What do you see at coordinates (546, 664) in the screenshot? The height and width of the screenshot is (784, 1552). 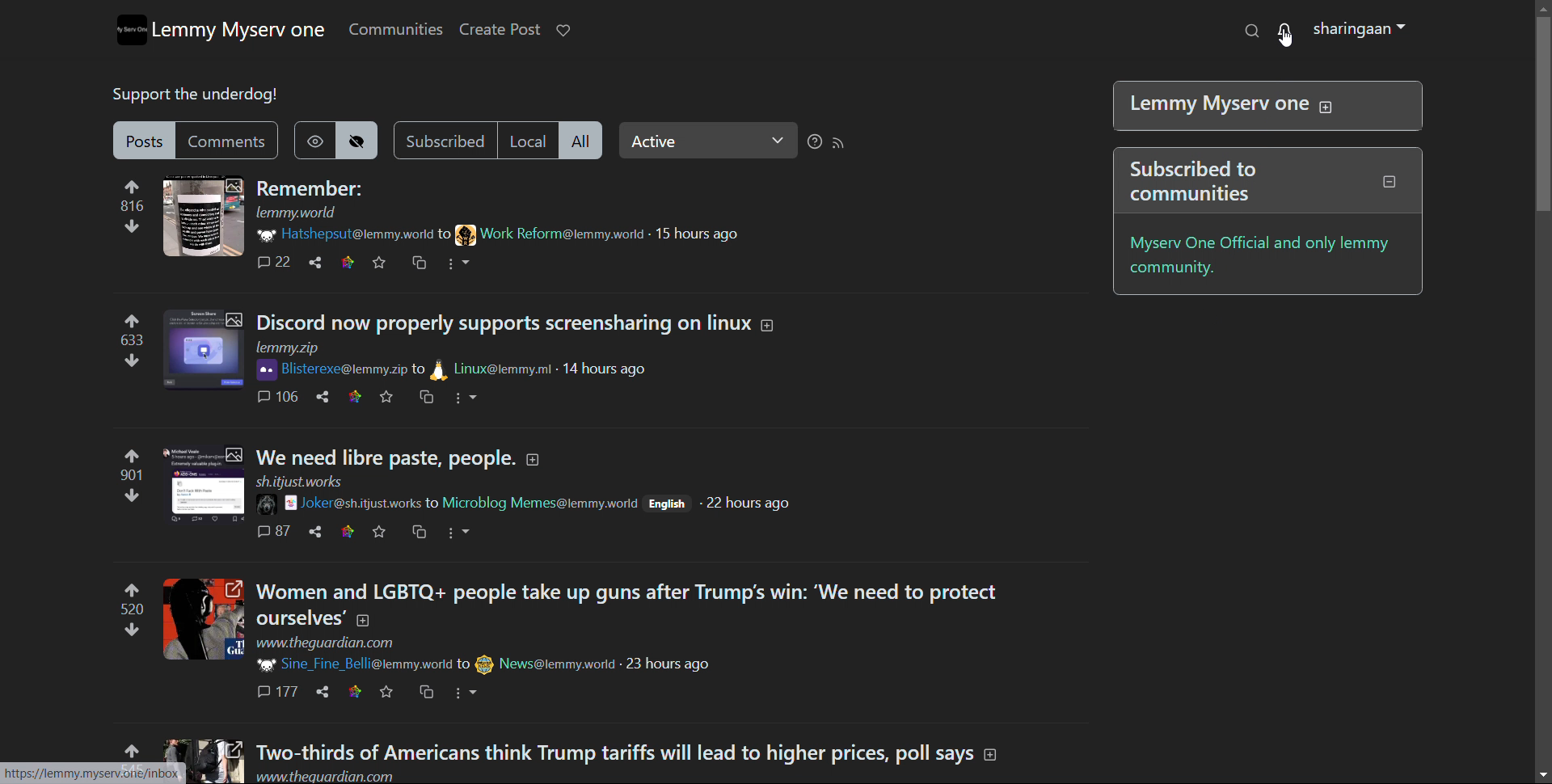 I see `community` at bounding box center [546, 664].